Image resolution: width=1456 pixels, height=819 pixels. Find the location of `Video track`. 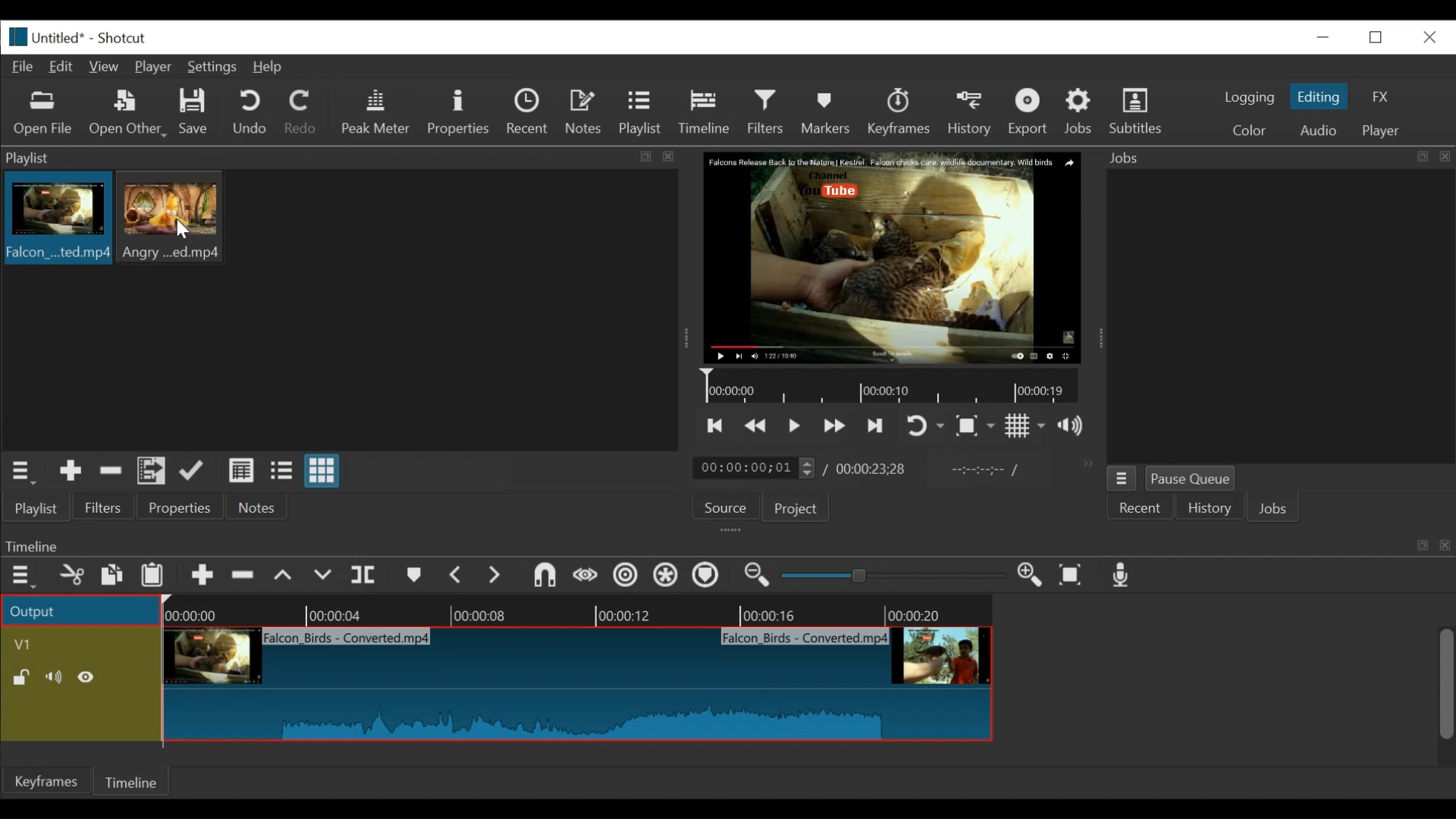

Video track is located at coordinates (81, 644).